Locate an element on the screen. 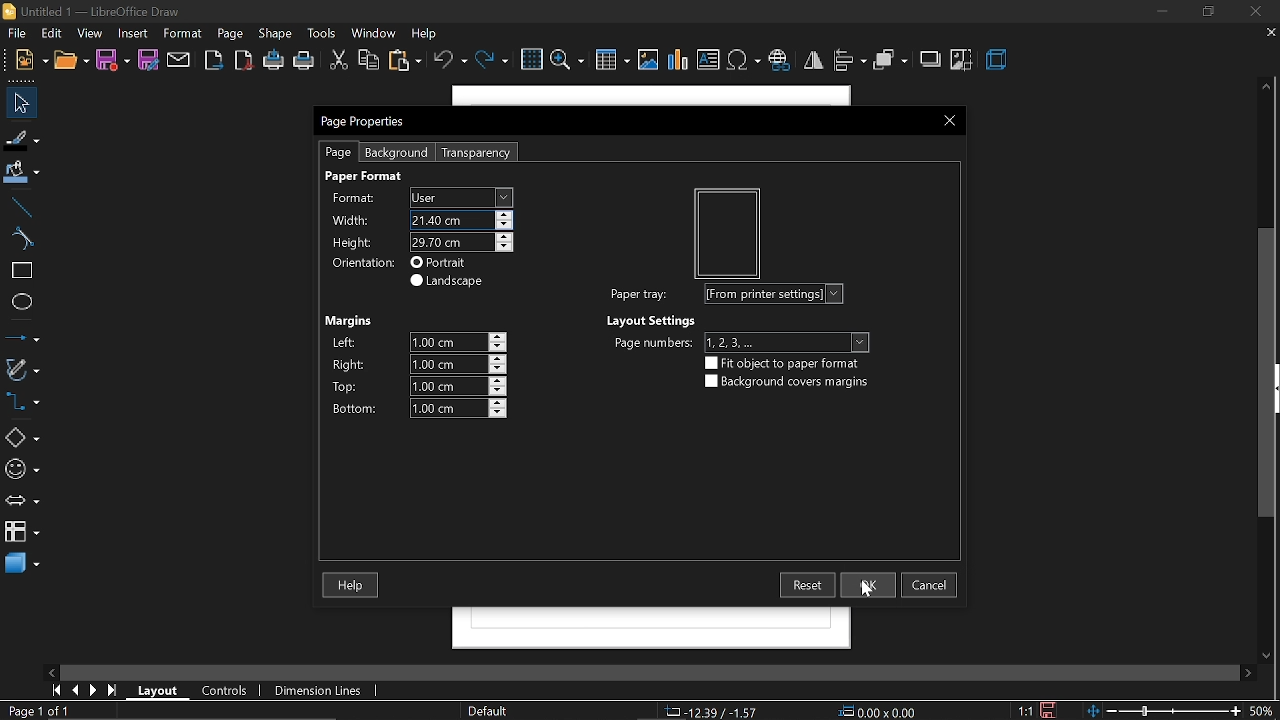  Paper format is located at coordinates (364, 177).